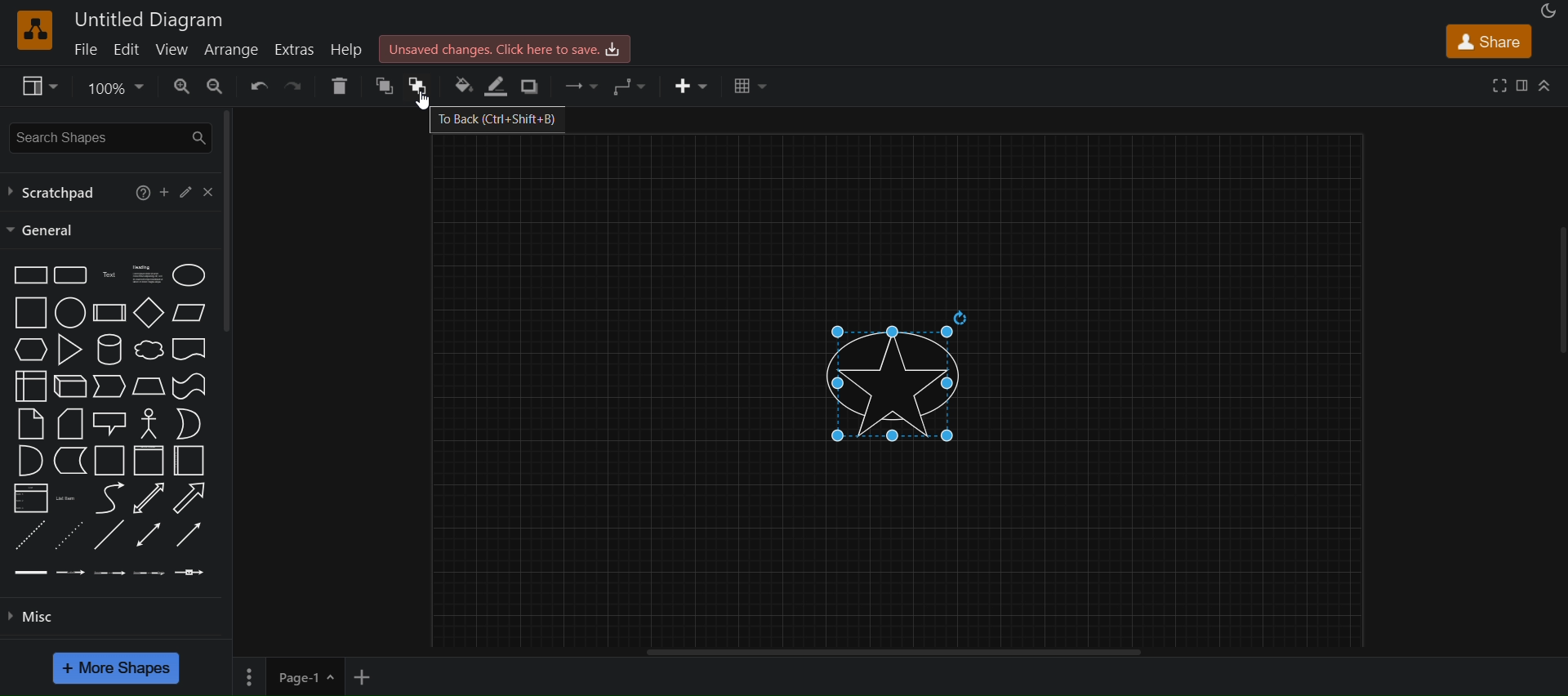  What do you see at coordinates (189, 423) in the screenshot?
I see `or` at bounding box center [189, 423].